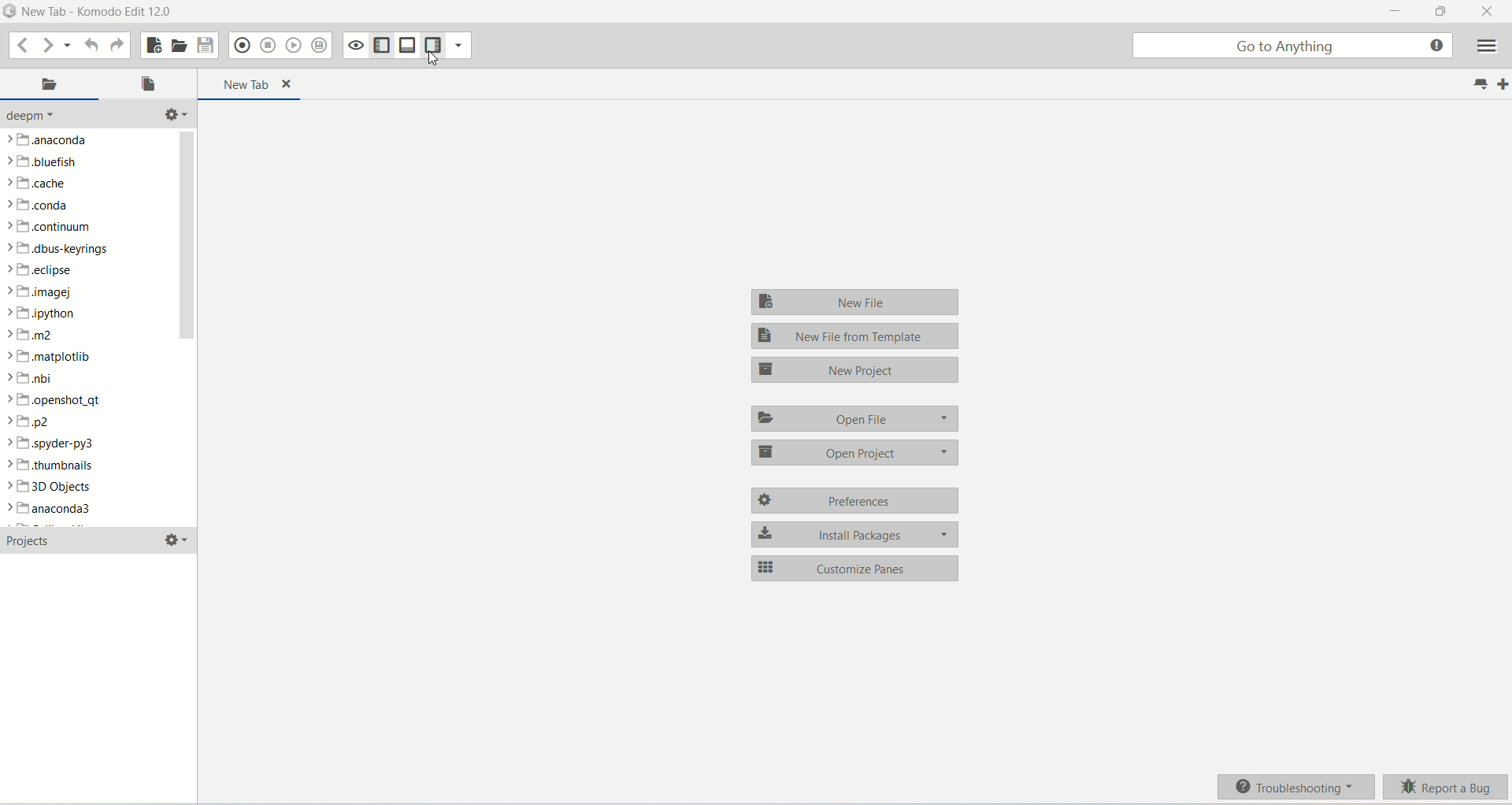 The width and height of the screenshot is (1512, 805). I want to click on record macro, so click(241, 46).